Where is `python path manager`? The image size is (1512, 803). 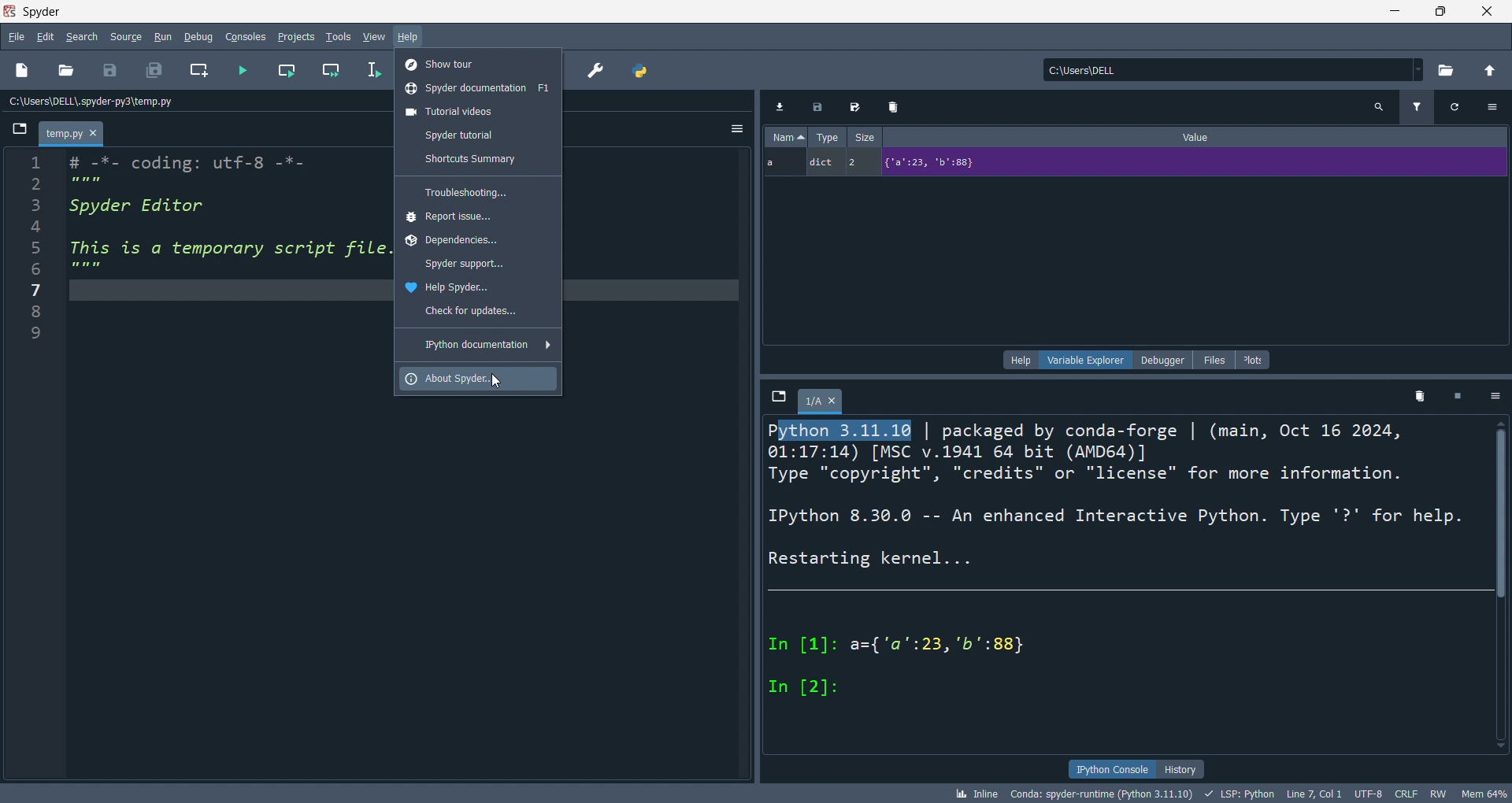 python path manager is located at coordinates (643, 69).